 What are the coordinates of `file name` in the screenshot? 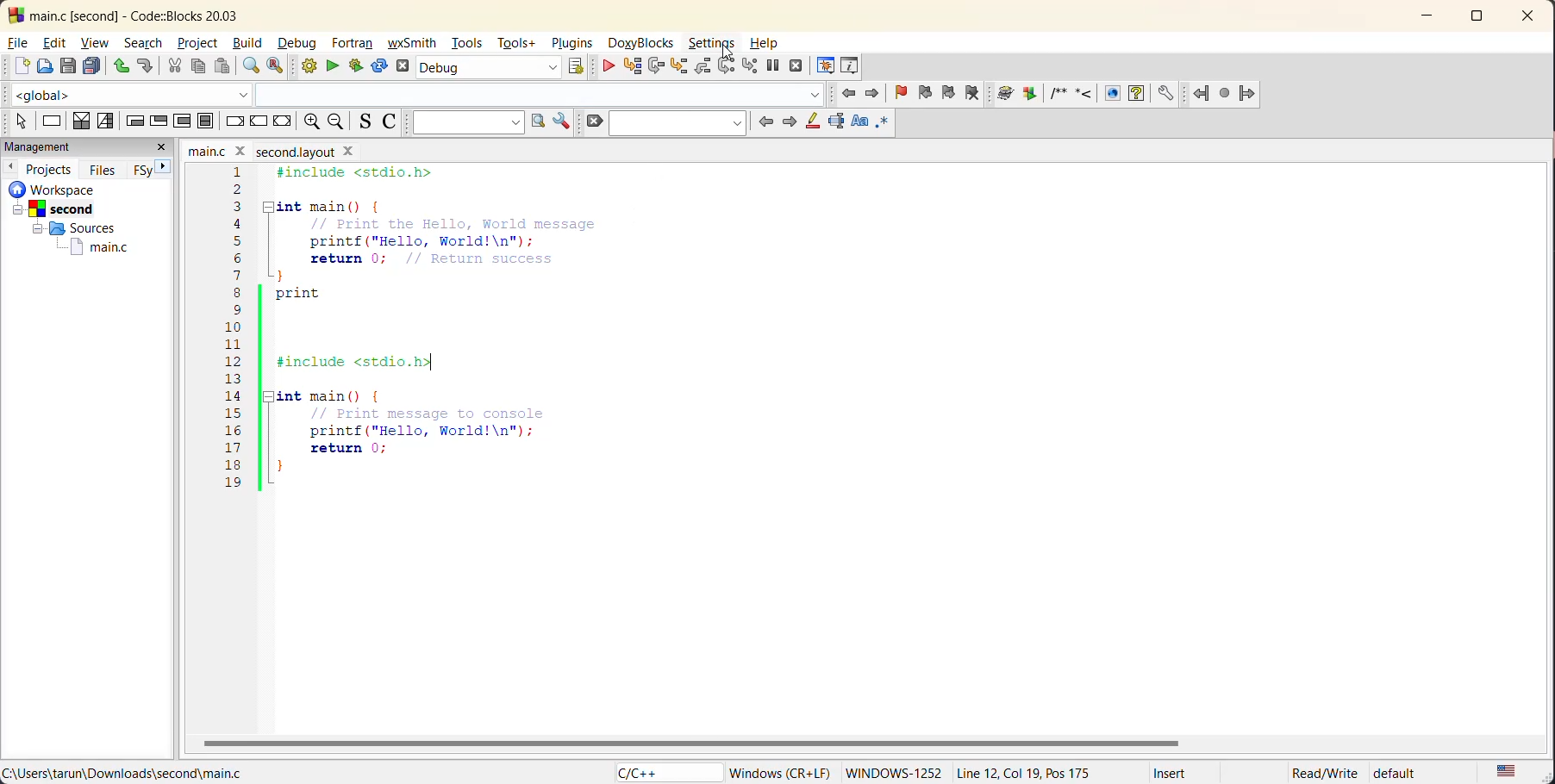 It's located at (266, 151).